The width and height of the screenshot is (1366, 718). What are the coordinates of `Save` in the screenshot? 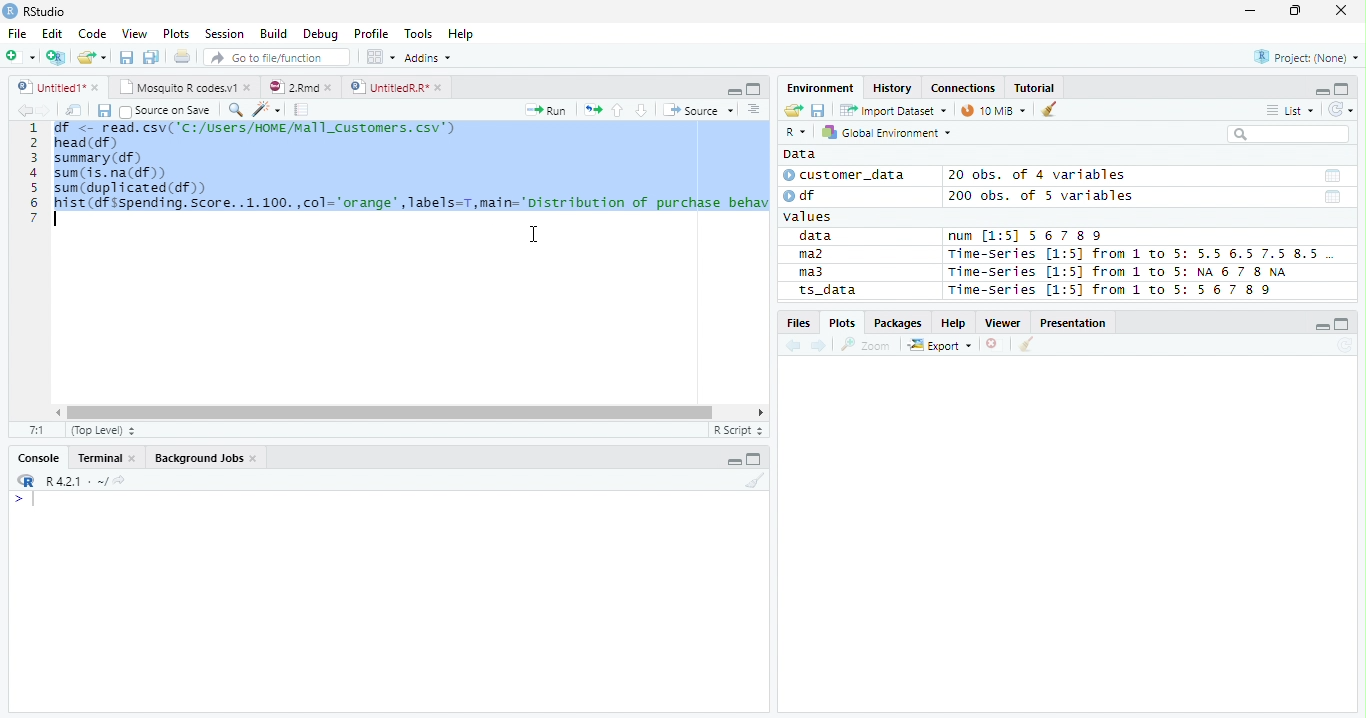 It's located at (126, 56).